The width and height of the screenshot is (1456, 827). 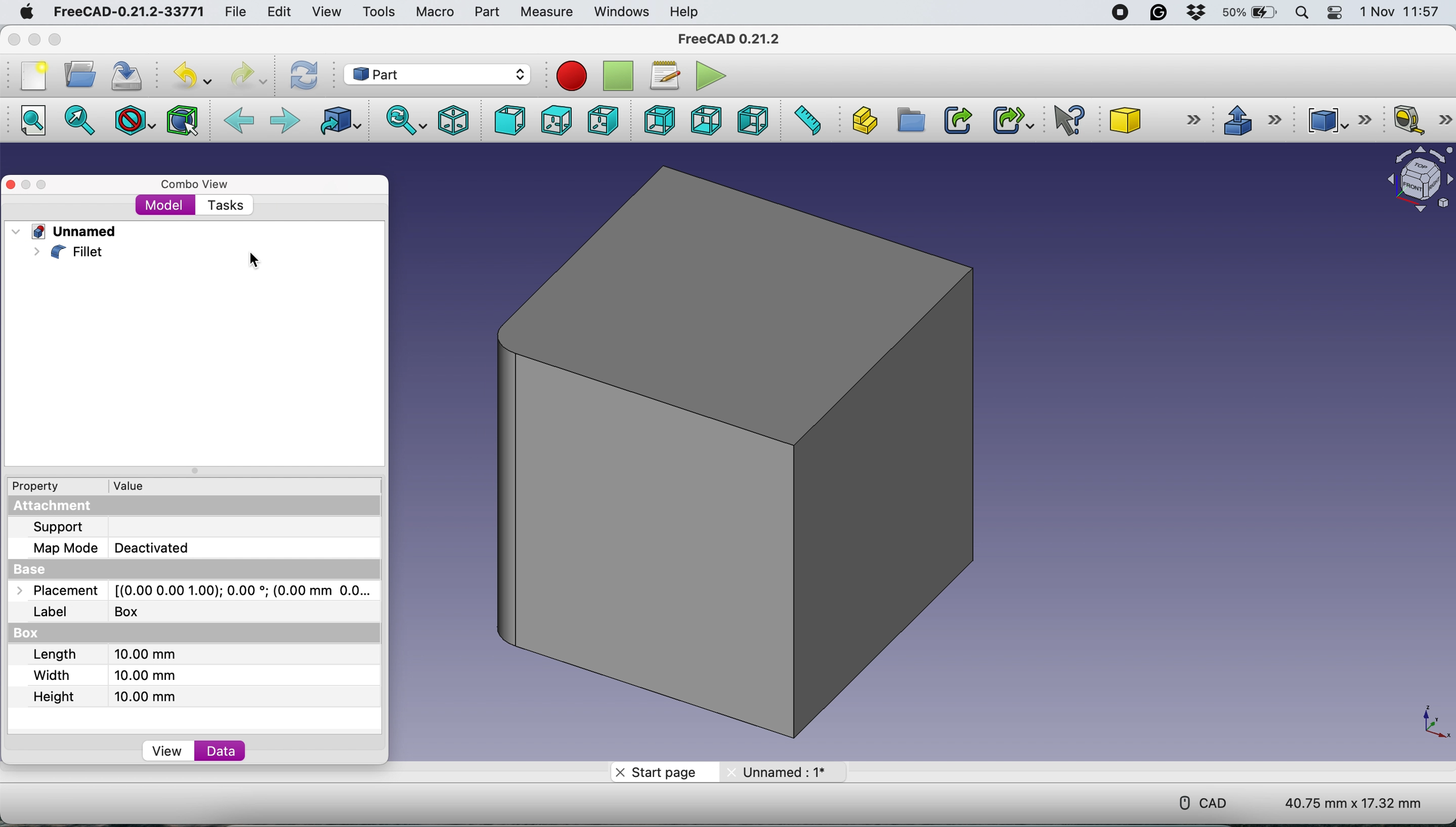 I want to click on backward, so click(x=239, y=122).